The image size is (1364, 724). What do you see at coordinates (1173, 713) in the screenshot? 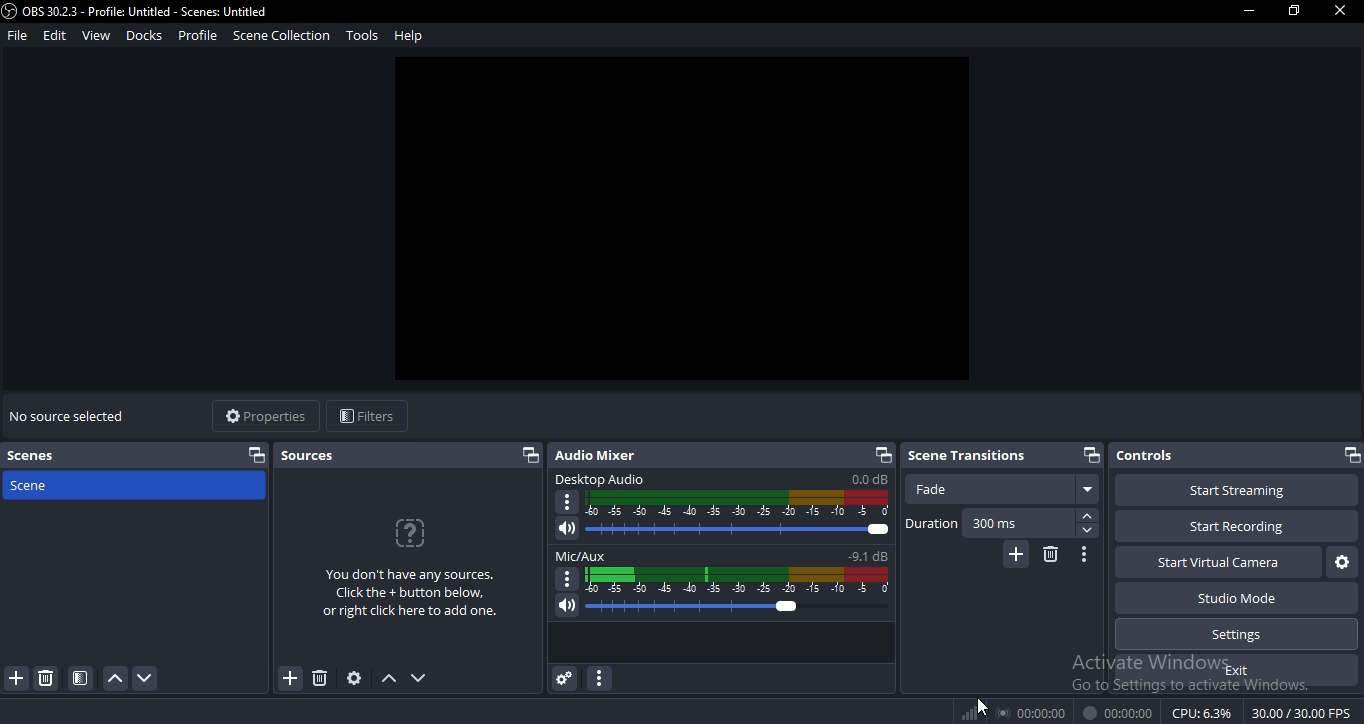
I see `® 00:00:00 @ 00:00:00 CPU:2.0% 22.26/30.00 FPS` at bounding box center [1173, 713].